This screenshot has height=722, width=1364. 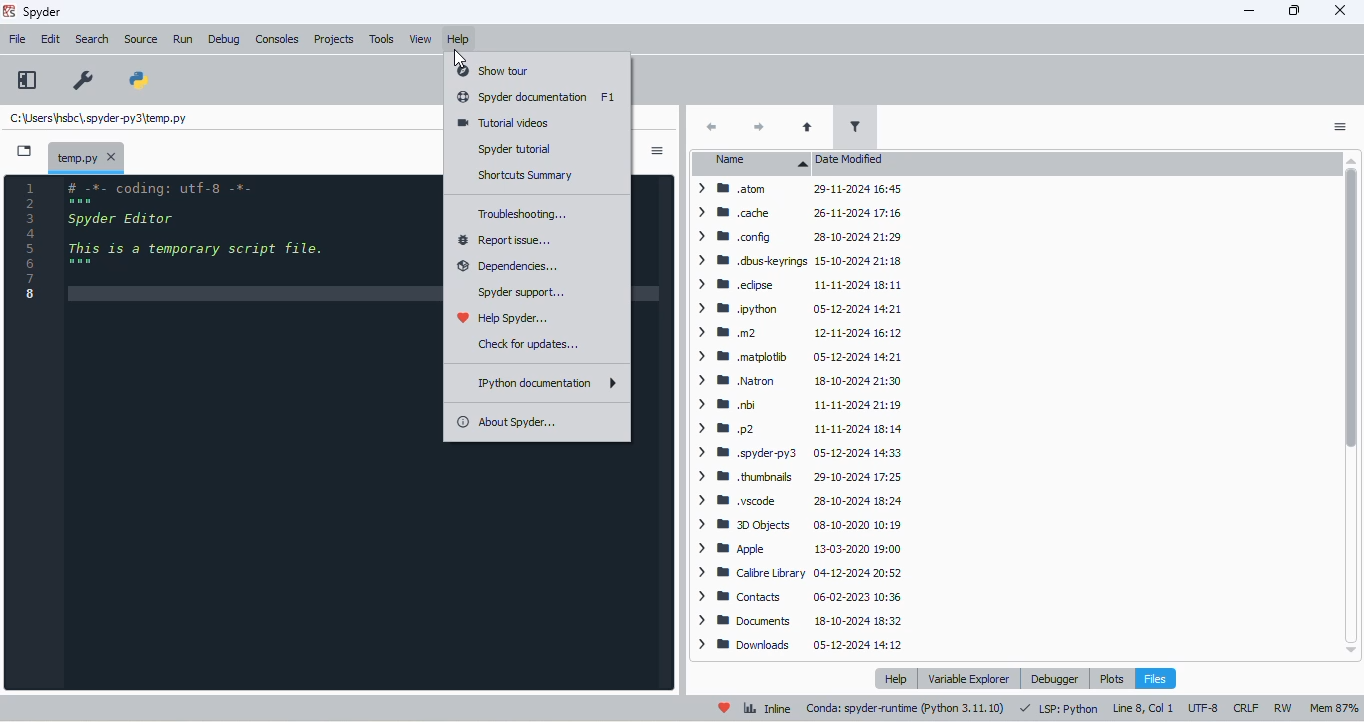 What do you see at coordinates (1156, 679) in the screenshot?
I see `files` at bounding box center [1156, 679].